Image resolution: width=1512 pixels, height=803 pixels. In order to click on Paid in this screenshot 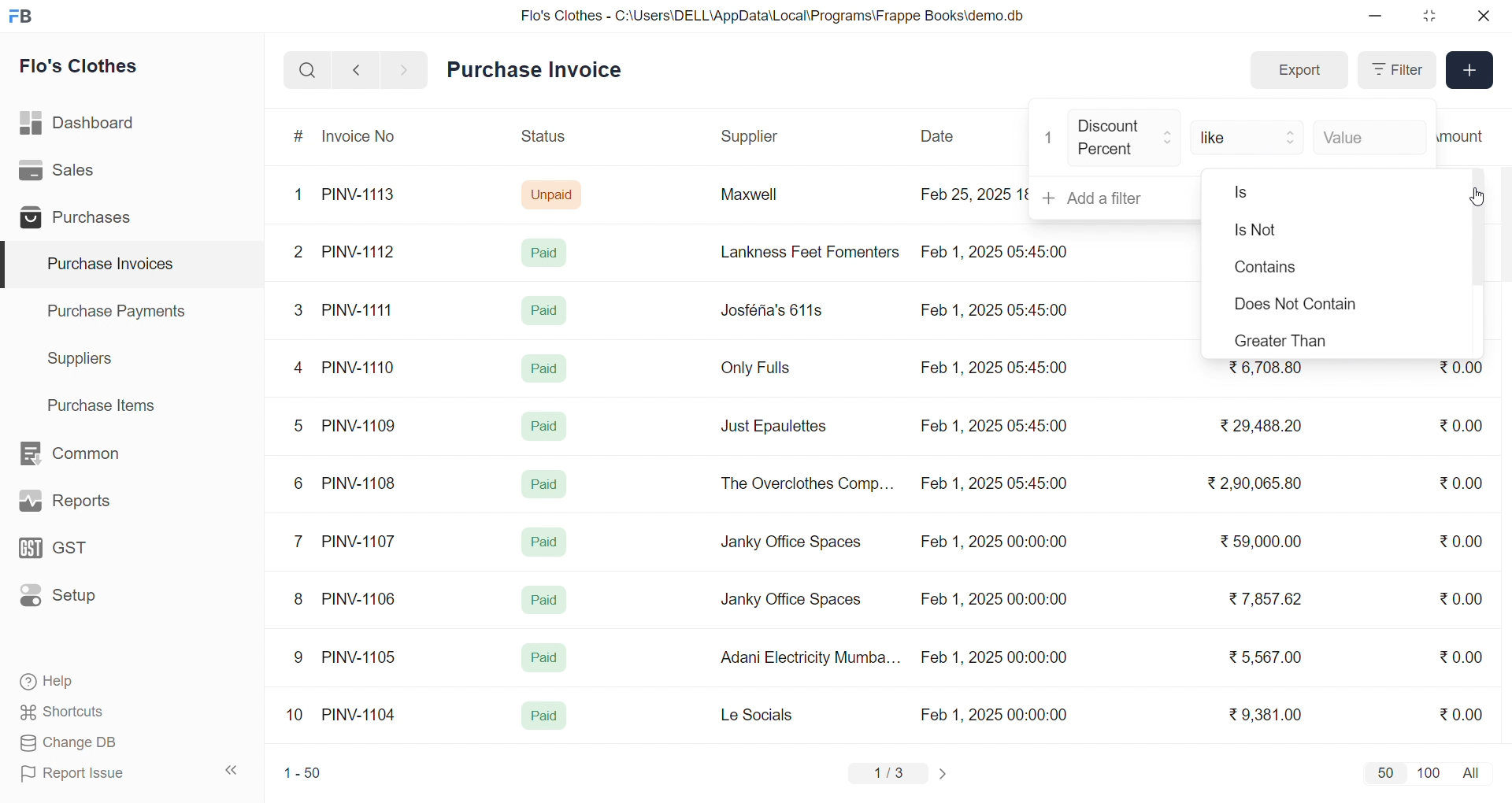, I will do `click(545, 600)`.